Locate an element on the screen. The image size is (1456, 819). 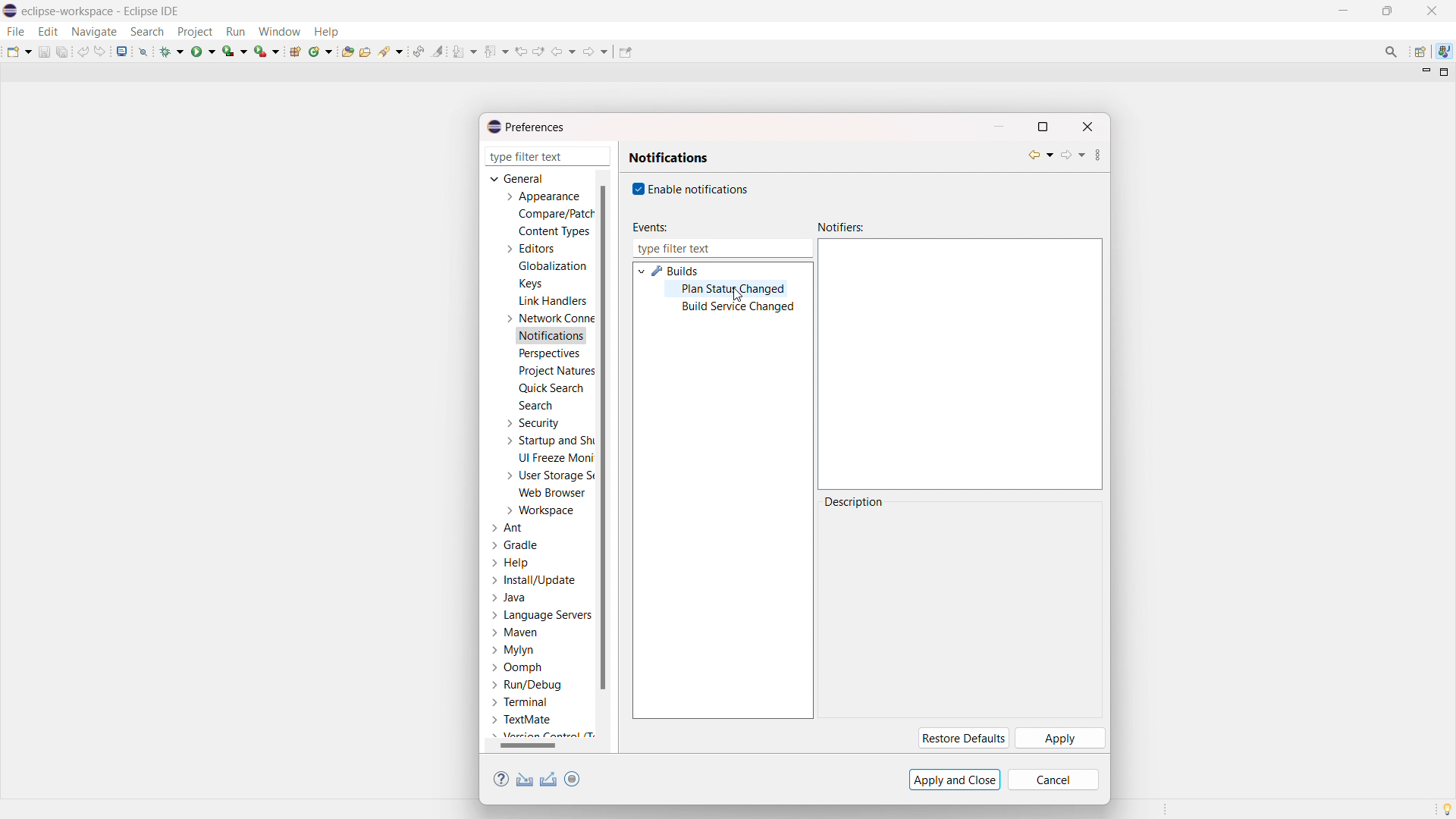
next annotation is located at coordinates (465, 51).